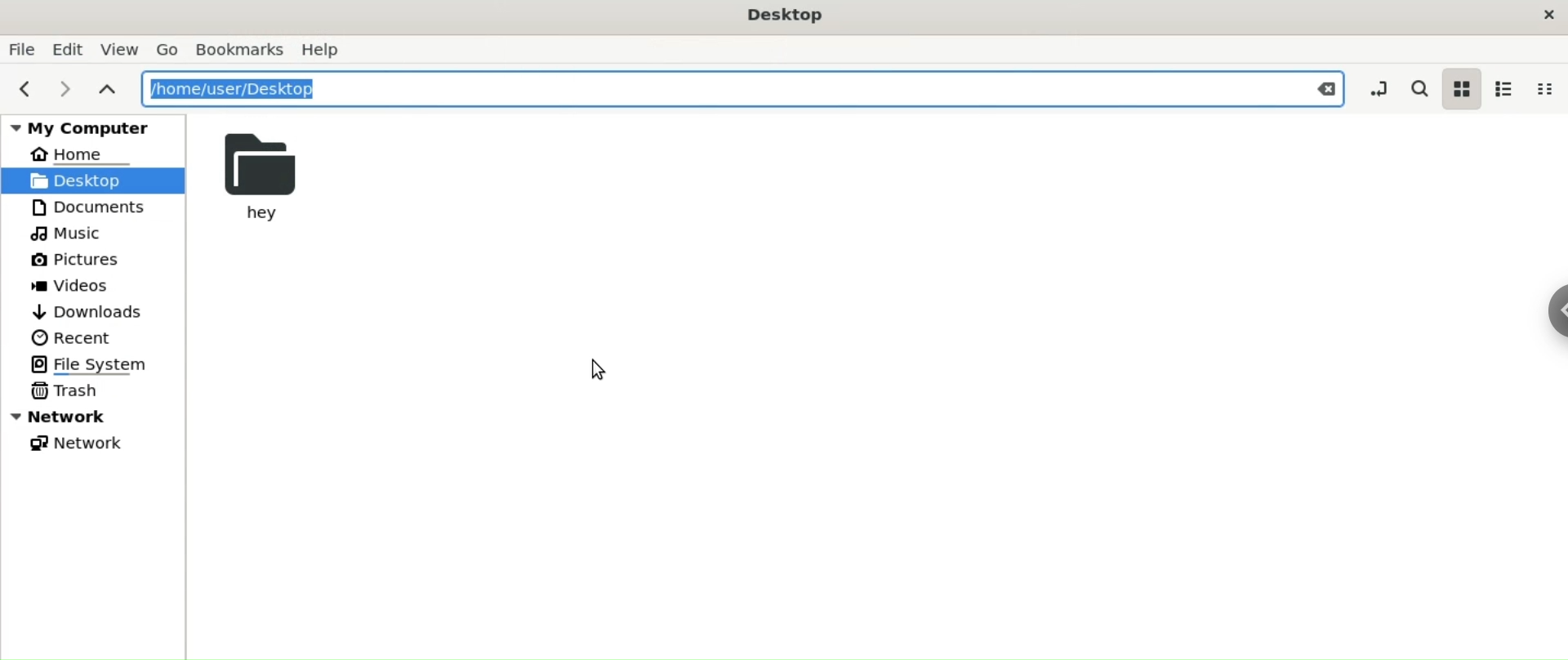 The width and height of the screenshot is (1568, 660). What do you see at coordinates (90, 208) in the screenshot?
I see `Documents` at bounding box center [90, 208].